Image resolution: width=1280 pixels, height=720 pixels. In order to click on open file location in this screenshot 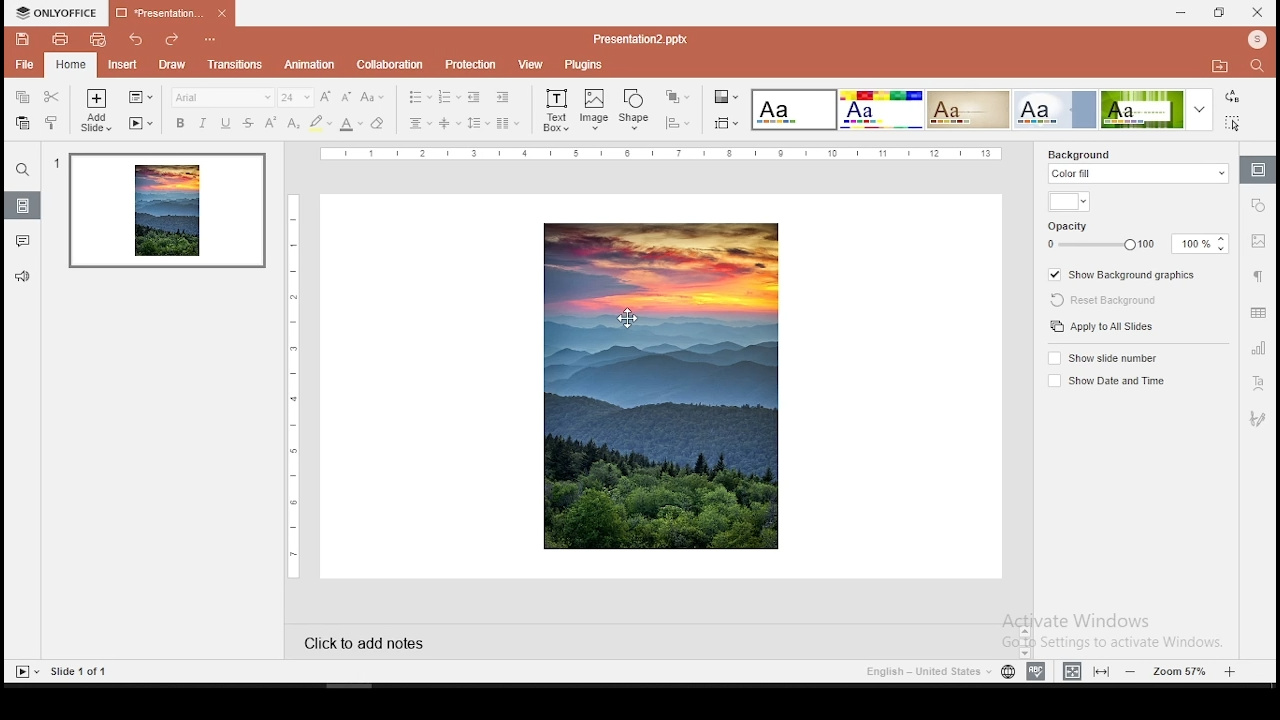, I will do `click(1222, 70)`.